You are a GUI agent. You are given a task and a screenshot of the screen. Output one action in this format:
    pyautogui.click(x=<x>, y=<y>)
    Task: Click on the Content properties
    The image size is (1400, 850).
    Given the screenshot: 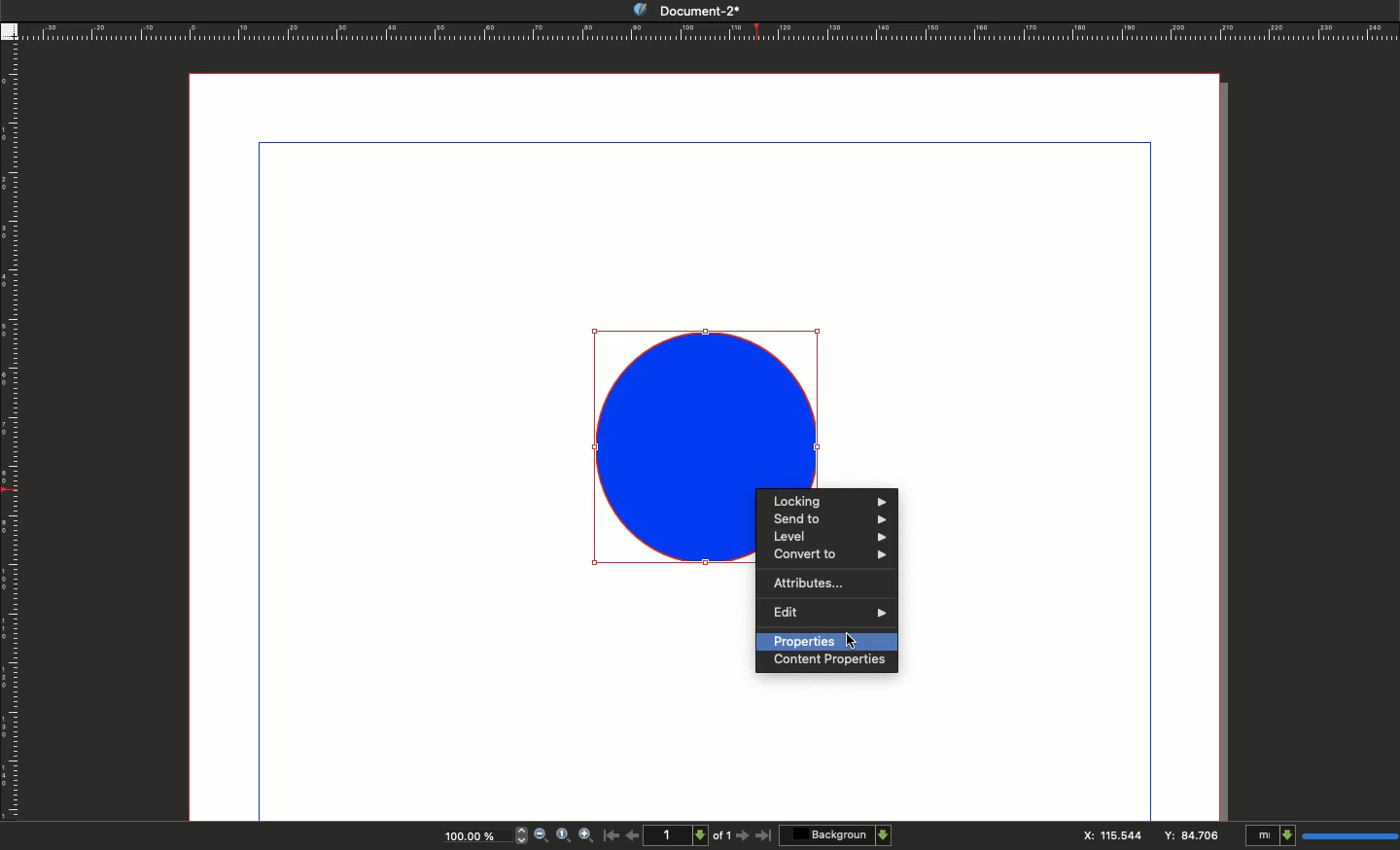 What is the action you would take?
    pyautogui.click(x=830, y=661)
    